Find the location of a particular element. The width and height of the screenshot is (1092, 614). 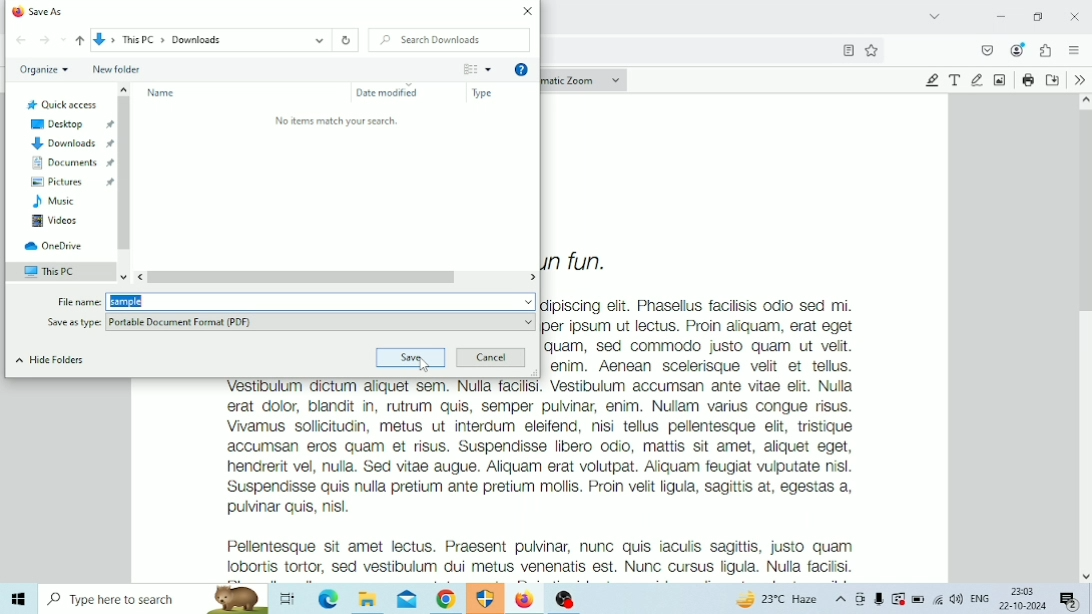

Type is located at coordinates (497, 93).